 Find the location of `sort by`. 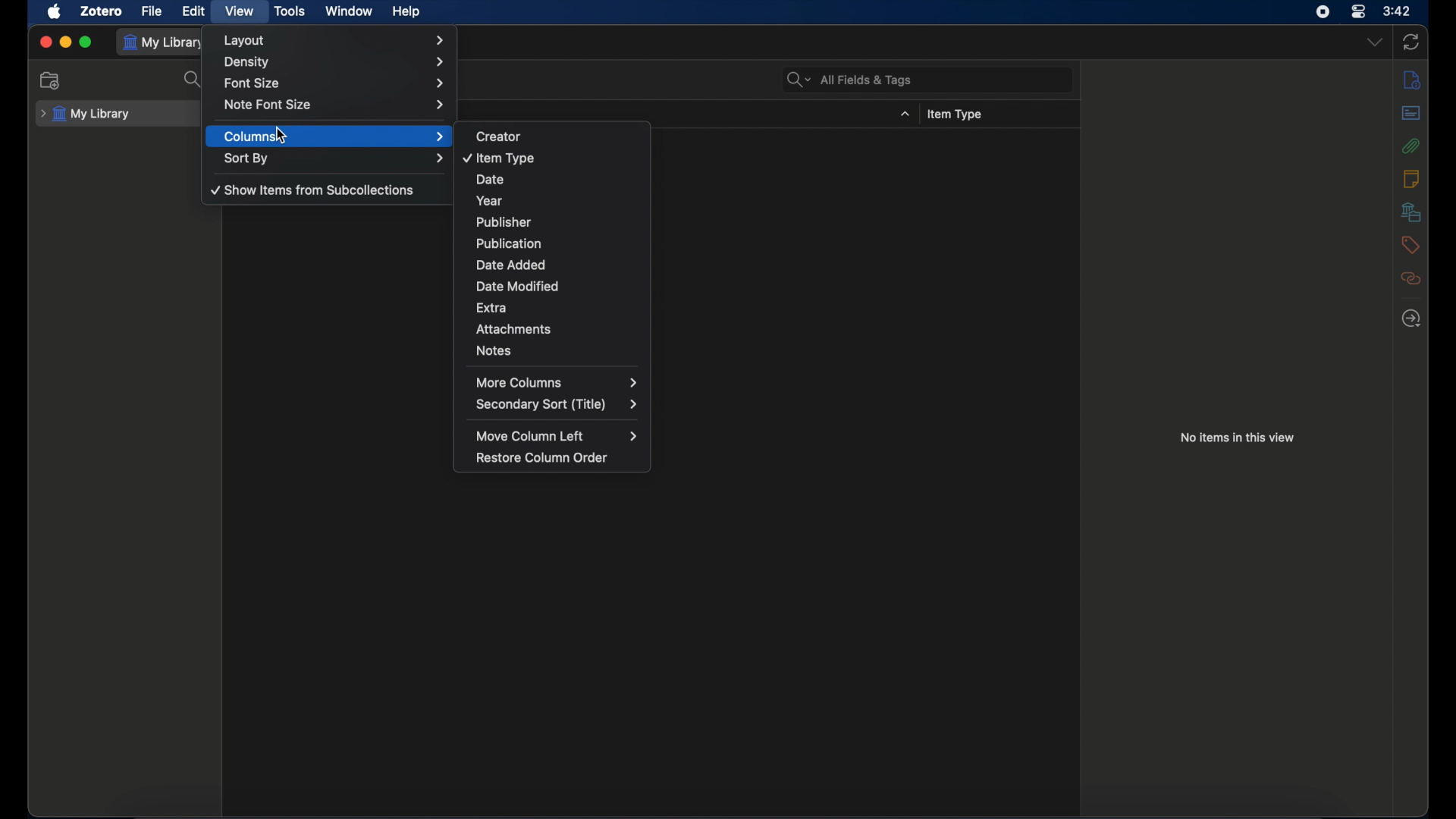

sort by is located at coordinates (334, 158).